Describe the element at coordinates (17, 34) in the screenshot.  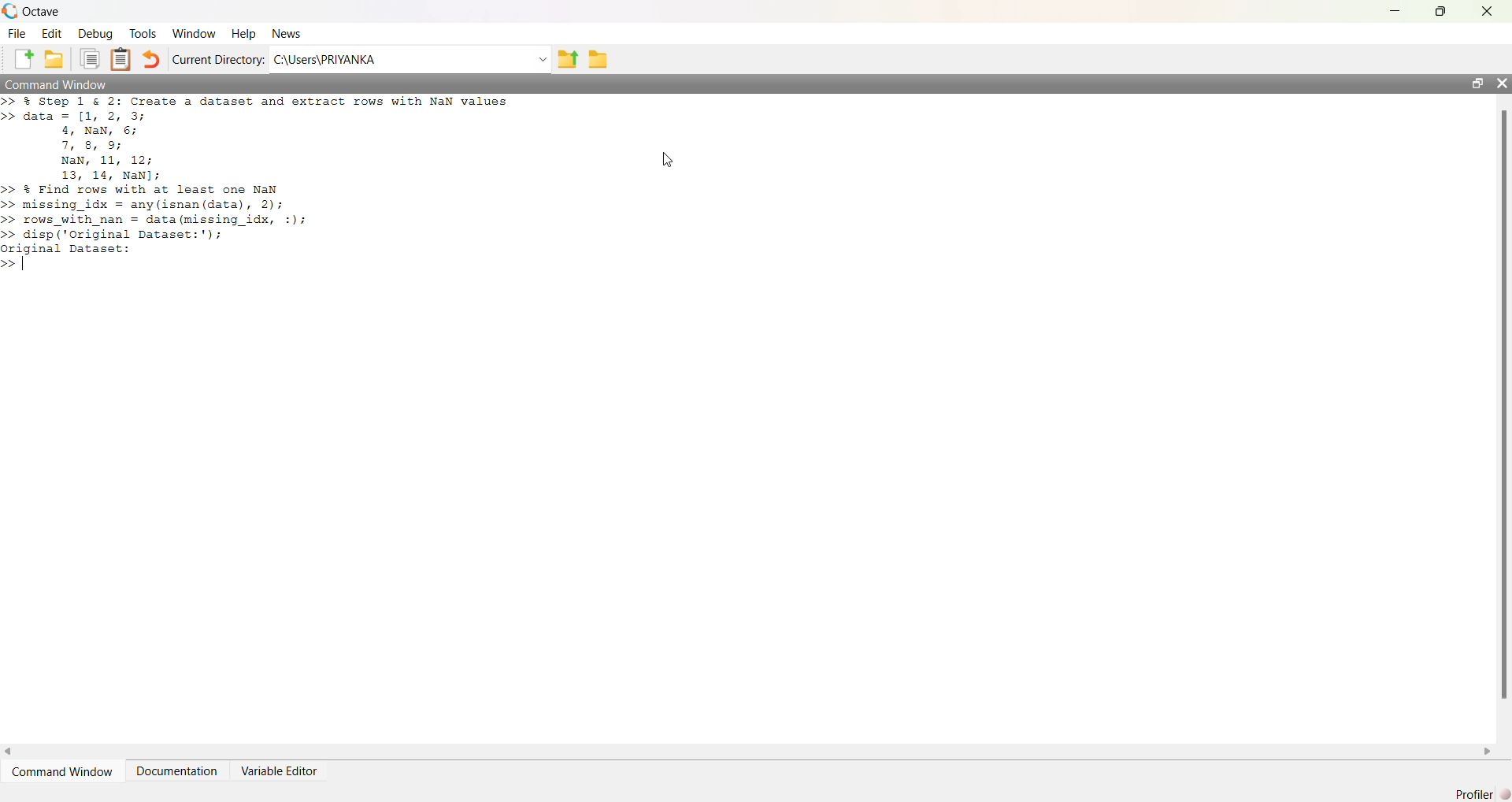
I see `File` at that location.